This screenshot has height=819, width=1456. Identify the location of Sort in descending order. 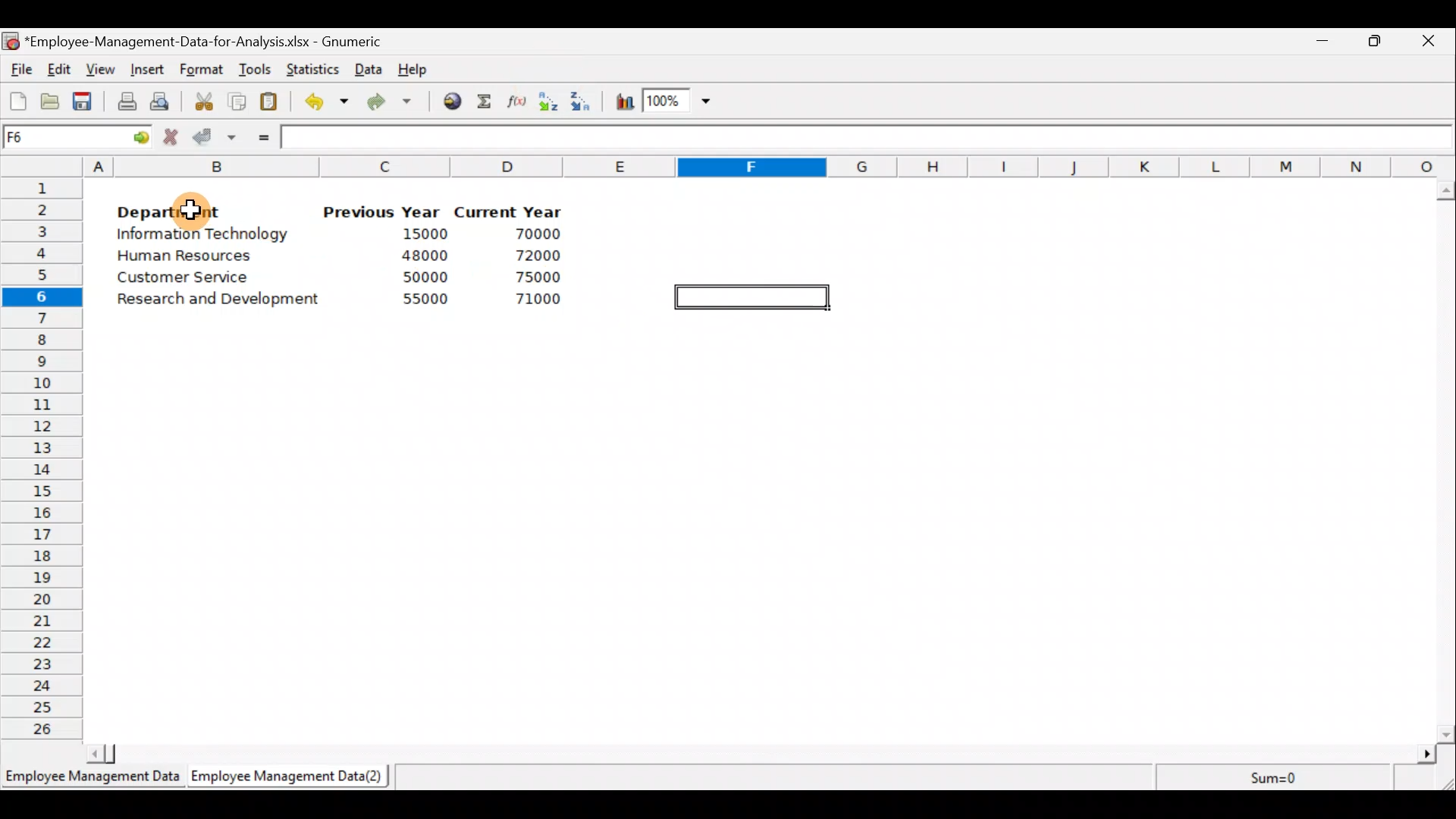
(582, 100).